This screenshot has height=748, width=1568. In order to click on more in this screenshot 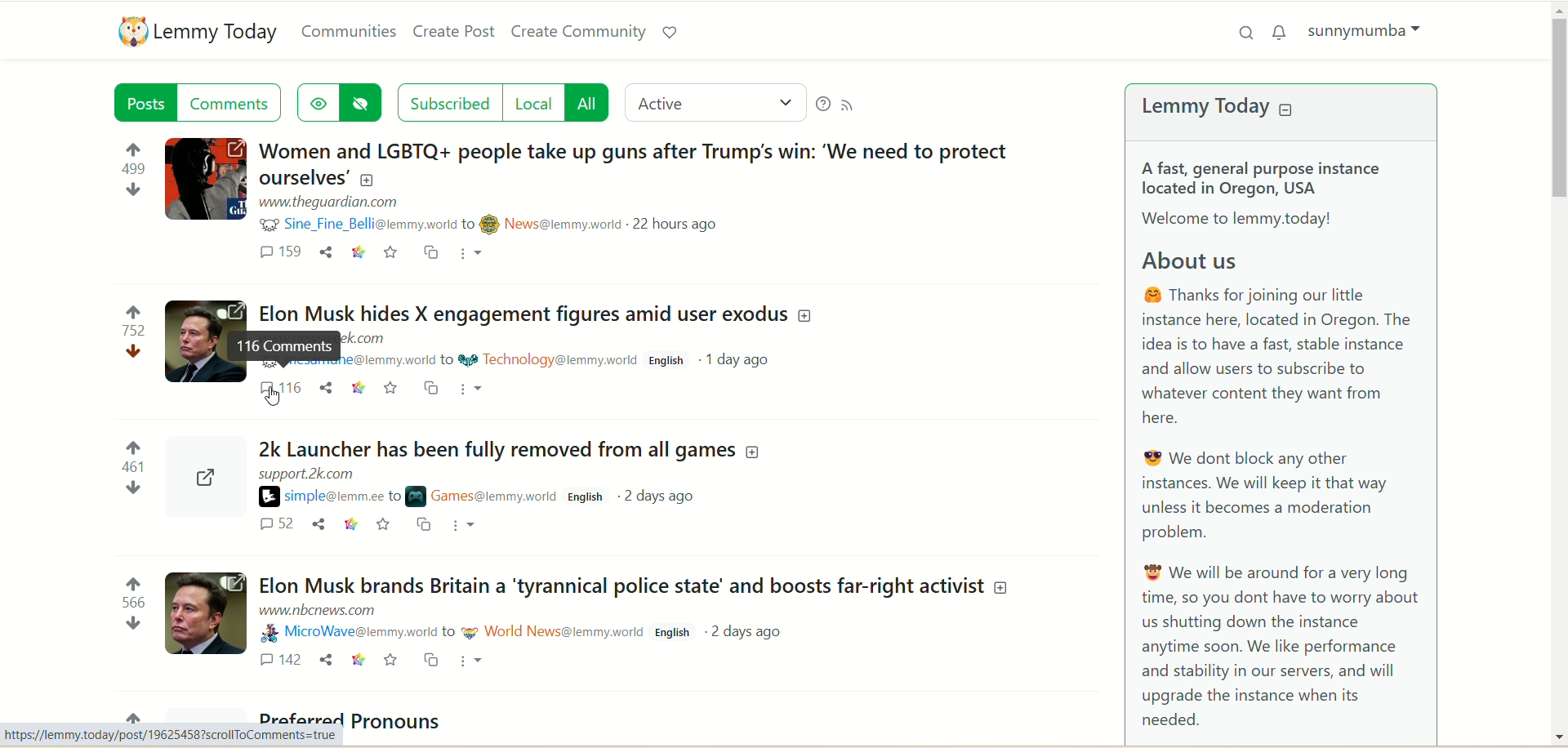, I will do `click(469, 252)`.